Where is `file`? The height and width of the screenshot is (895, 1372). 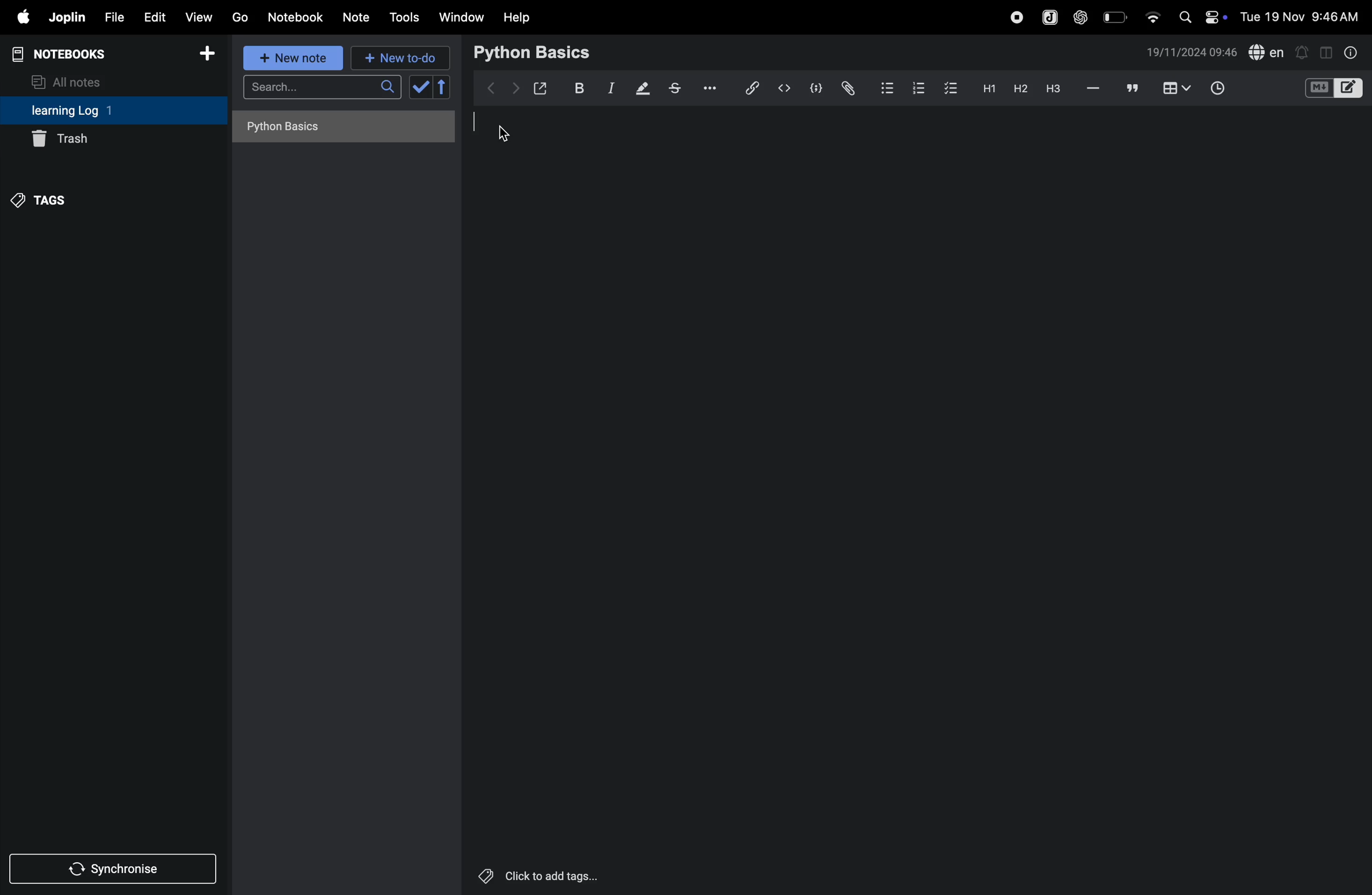
file is located at coordinates (112, 18).